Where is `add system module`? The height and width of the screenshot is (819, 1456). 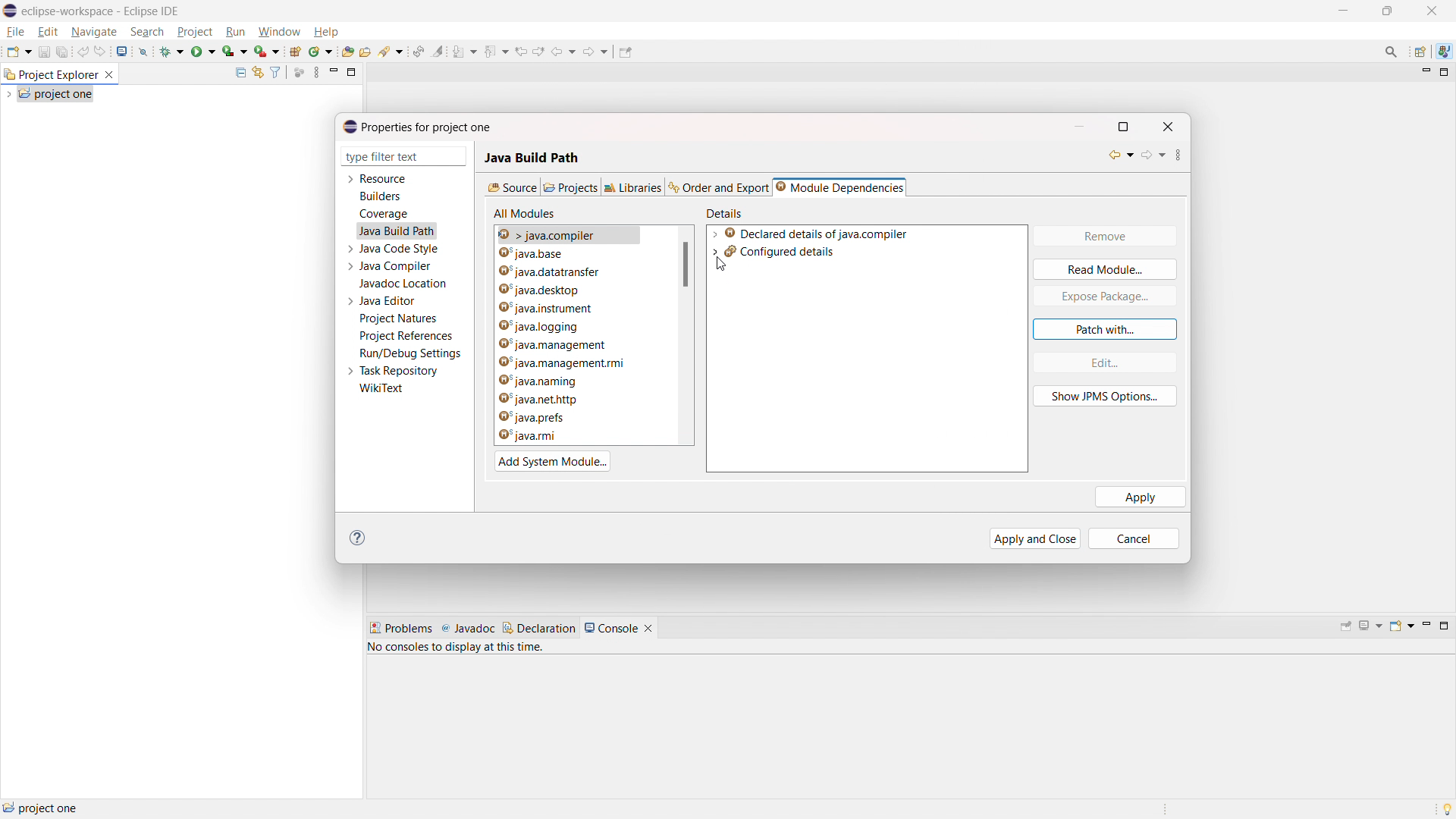
add system module is located at coordinates (553, 461).